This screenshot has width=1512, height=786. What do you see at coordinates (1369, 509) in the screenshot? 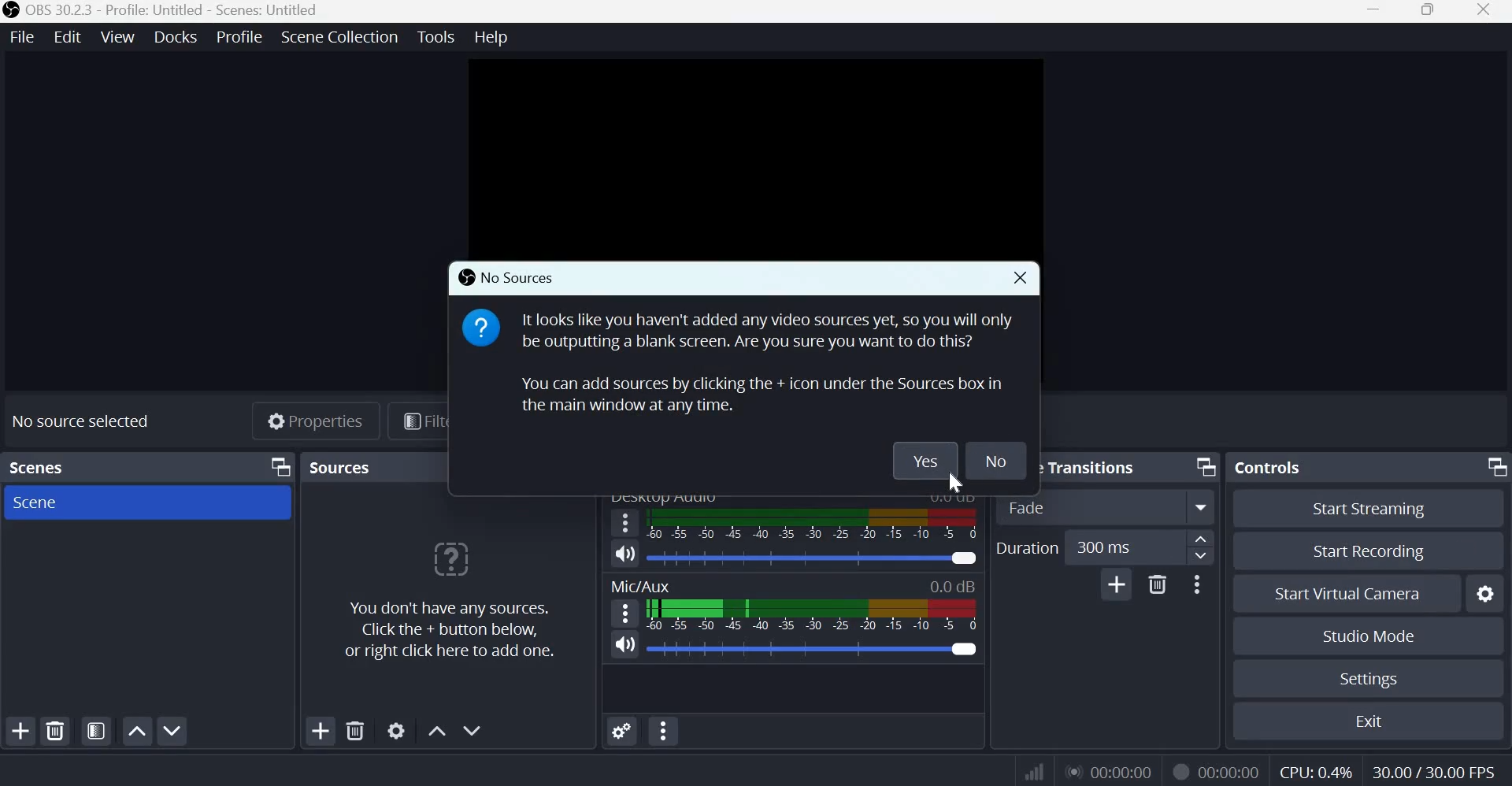
I see `Start Streaming` at bounding box center [1369, 509].